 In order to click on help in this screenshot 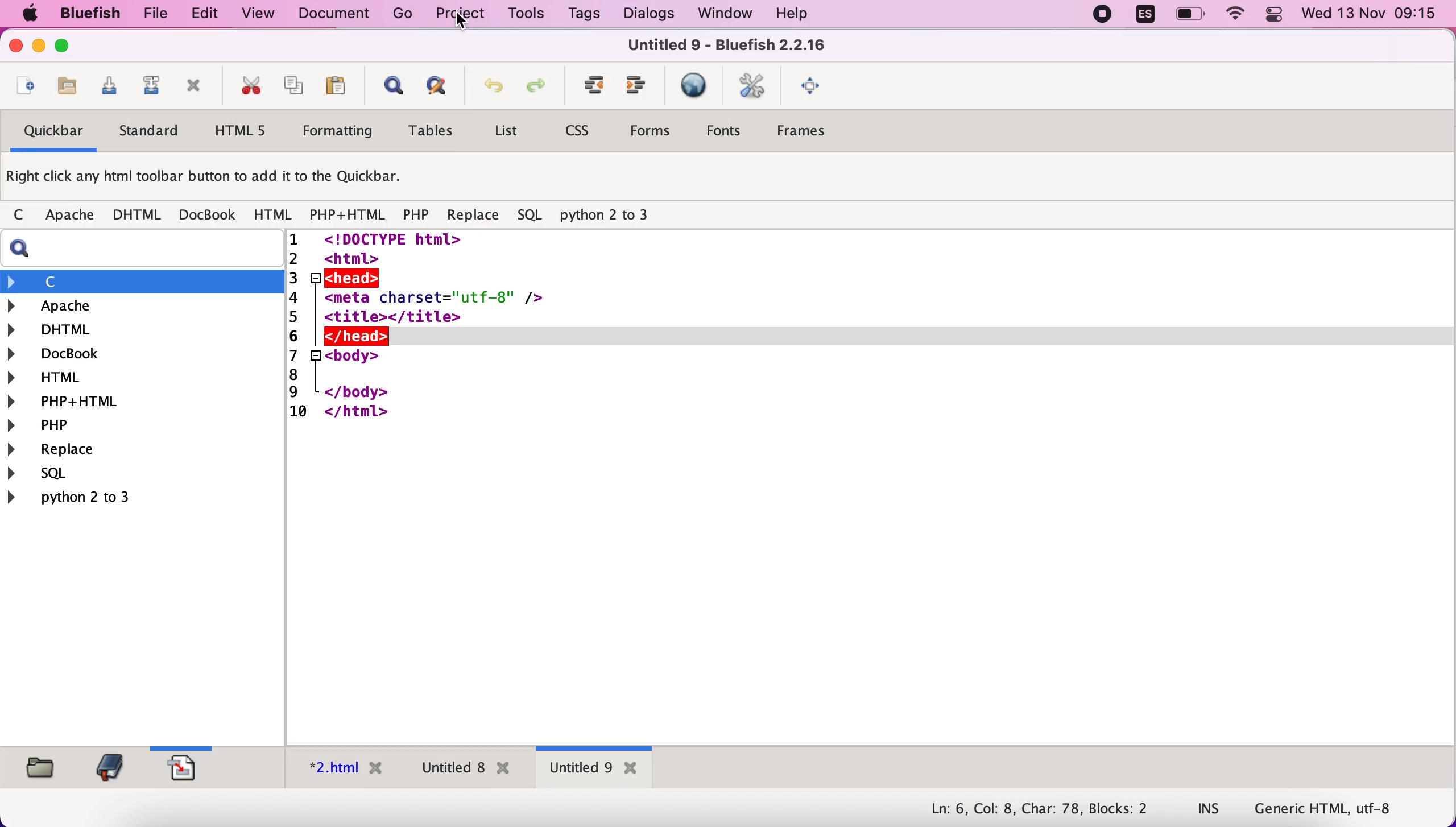, I will do `click(792, 15)`.